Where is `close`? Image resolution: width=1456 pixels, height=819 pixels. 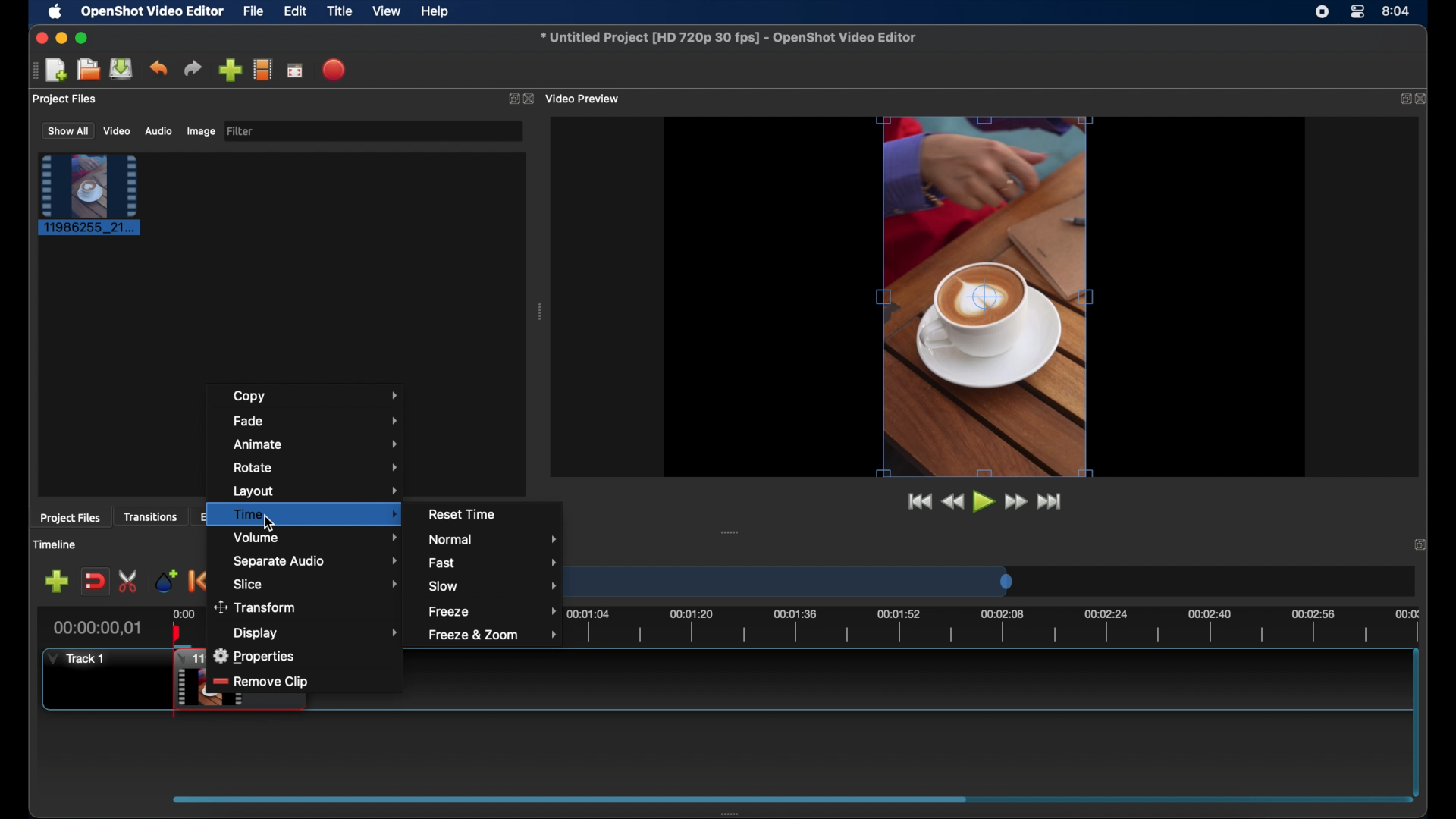 close is located at coordinates (529, 99).